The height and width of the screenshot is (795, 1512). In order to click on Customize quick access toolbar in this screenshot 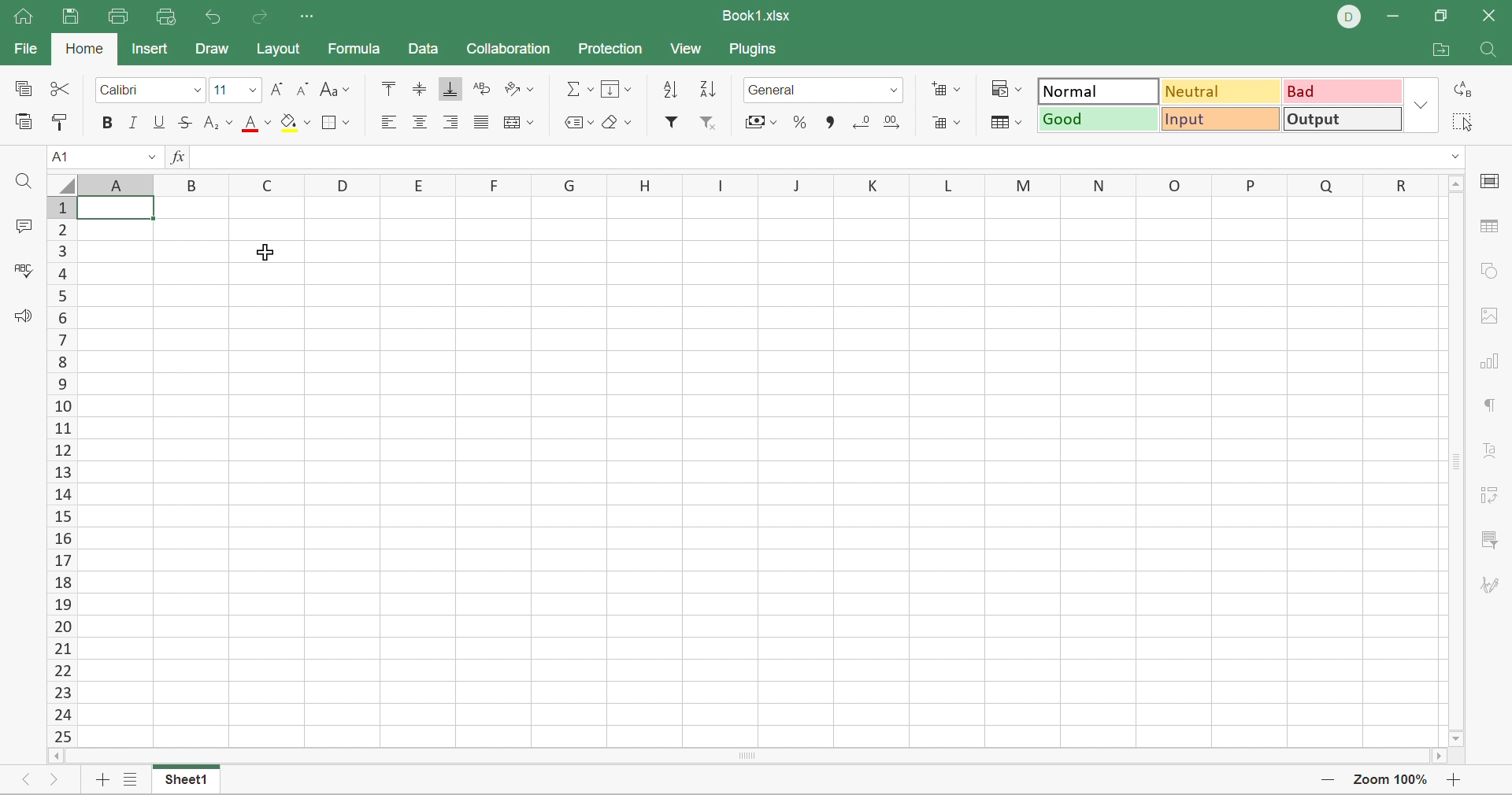, I will do `click(311, 18)`.